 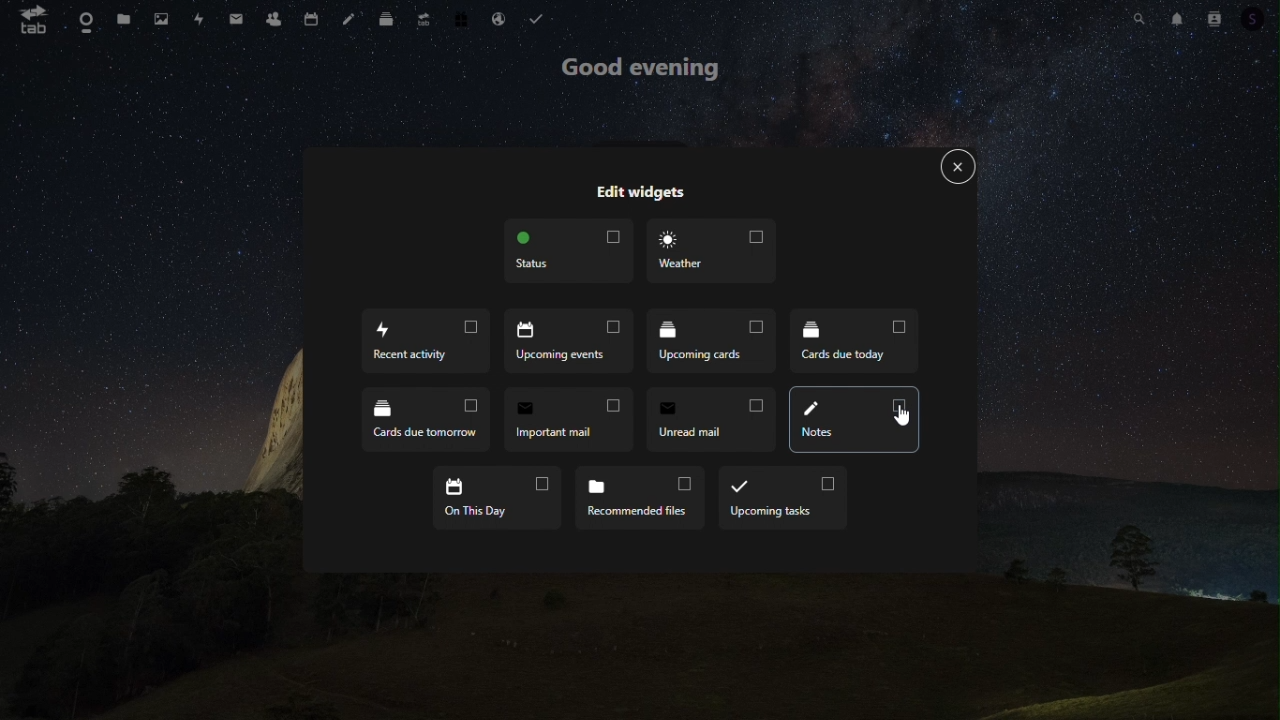 I want to click on Contacts, so click(x=1216, y=18).